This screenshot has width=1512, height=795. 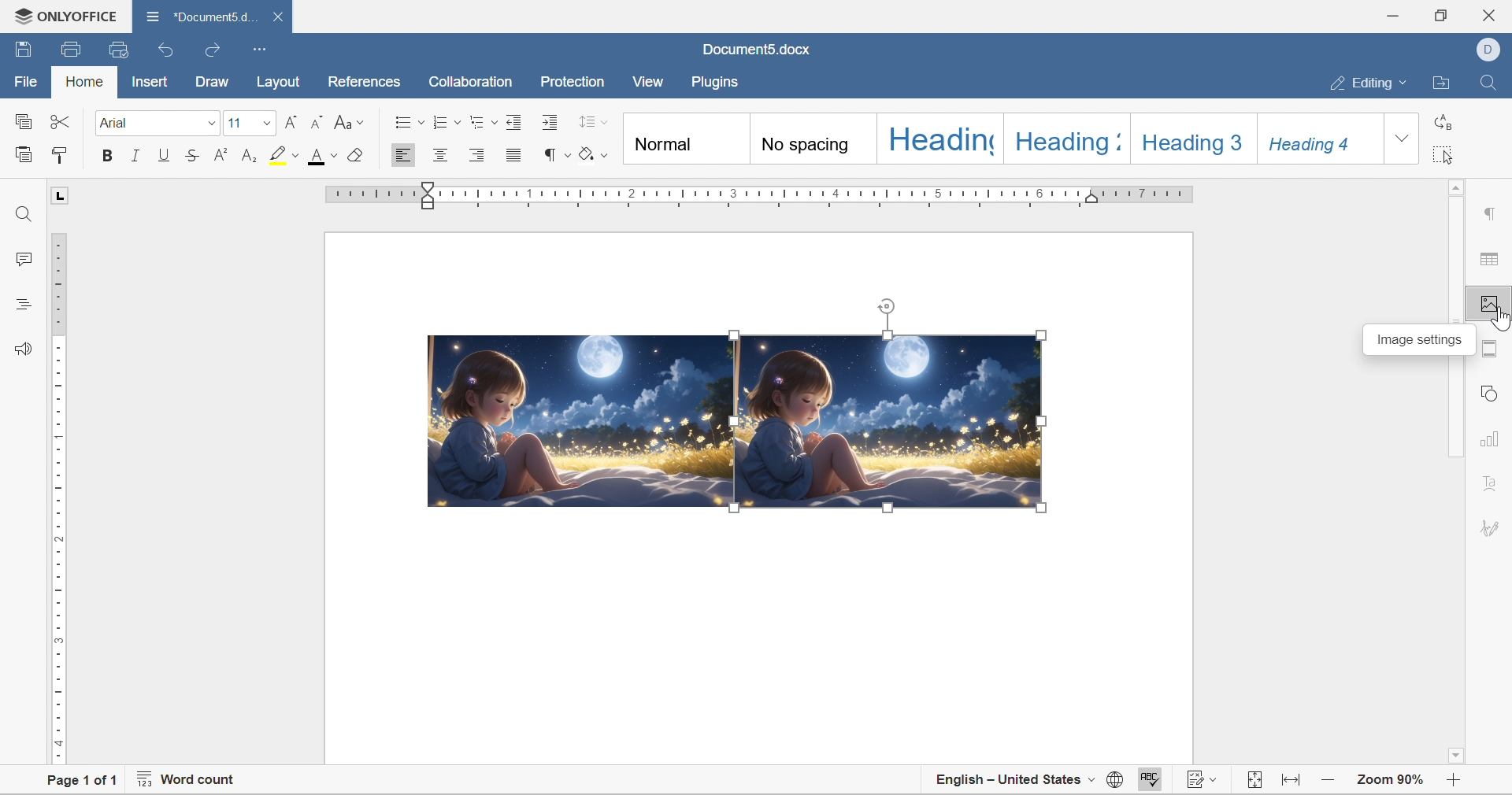 I want to click on scroll up, so click(x=1459, y=186).